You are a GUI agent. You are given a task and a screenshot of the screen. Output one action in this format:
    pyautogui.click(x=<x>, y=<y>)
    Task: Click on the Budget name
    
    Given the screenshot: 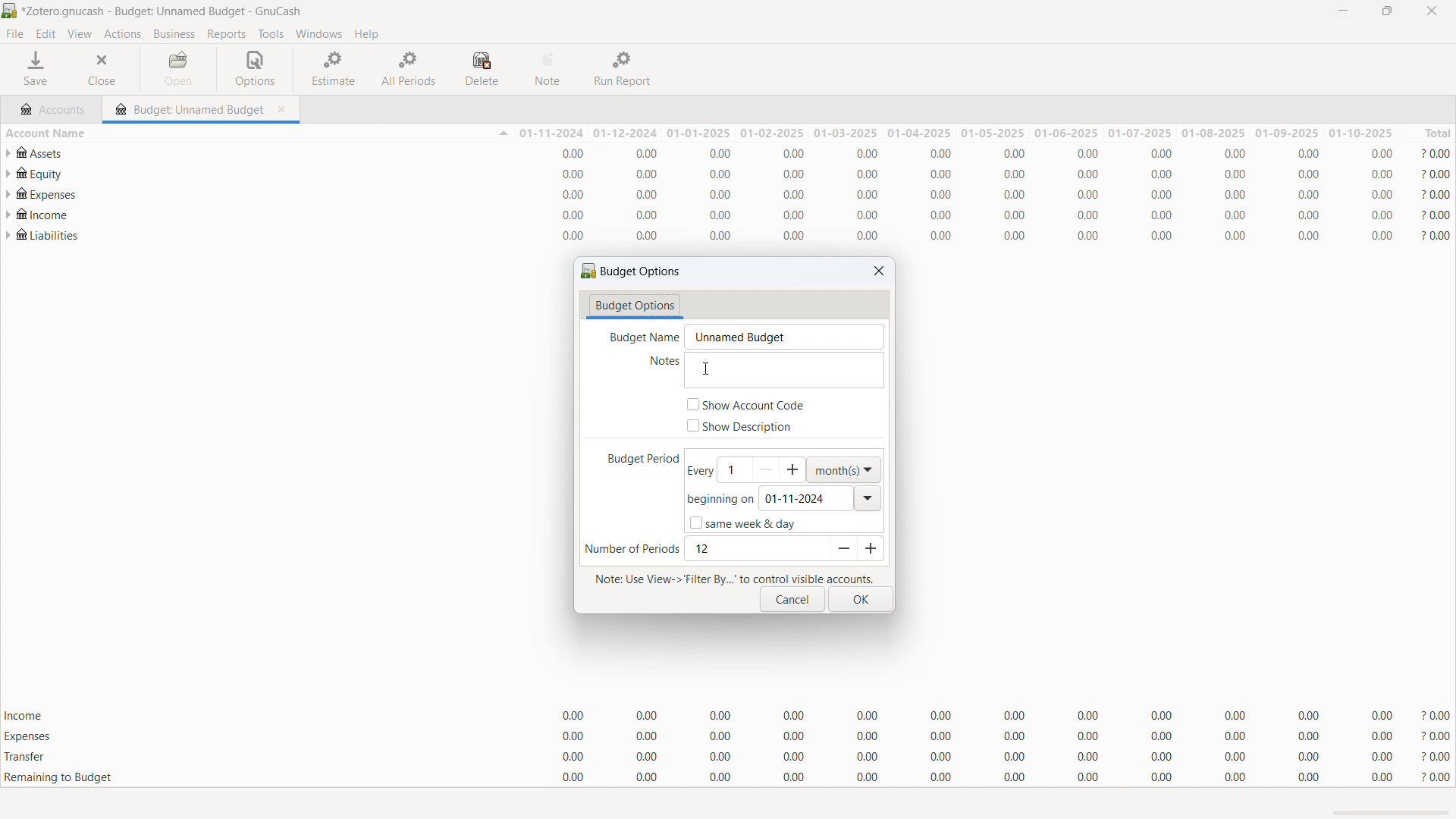 What is the action you would take?
    pyautogui.click(x=640, y=337)
    